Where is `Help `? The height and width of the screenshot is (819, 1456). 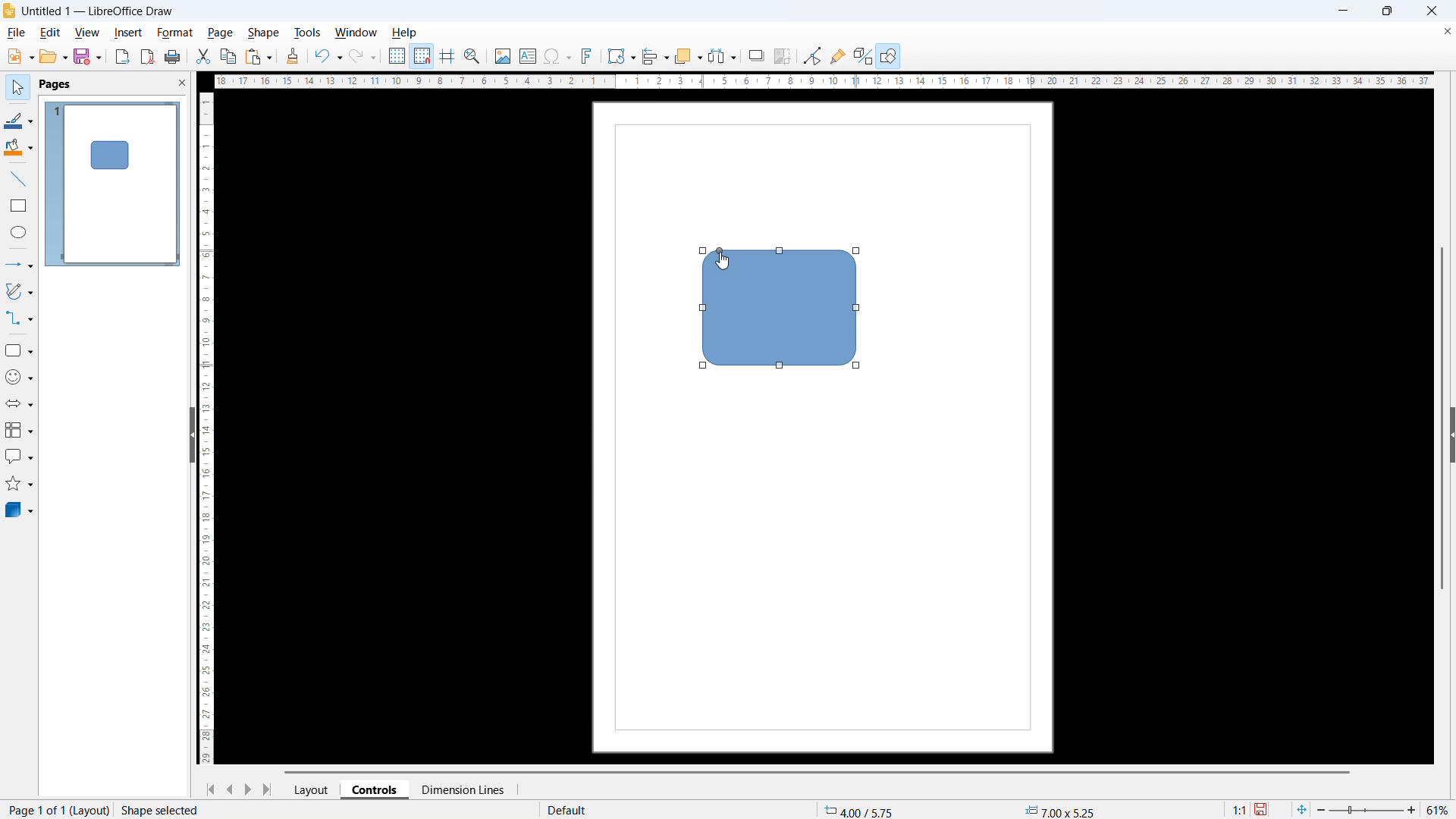
Help  is located at coordinates (406, 33).